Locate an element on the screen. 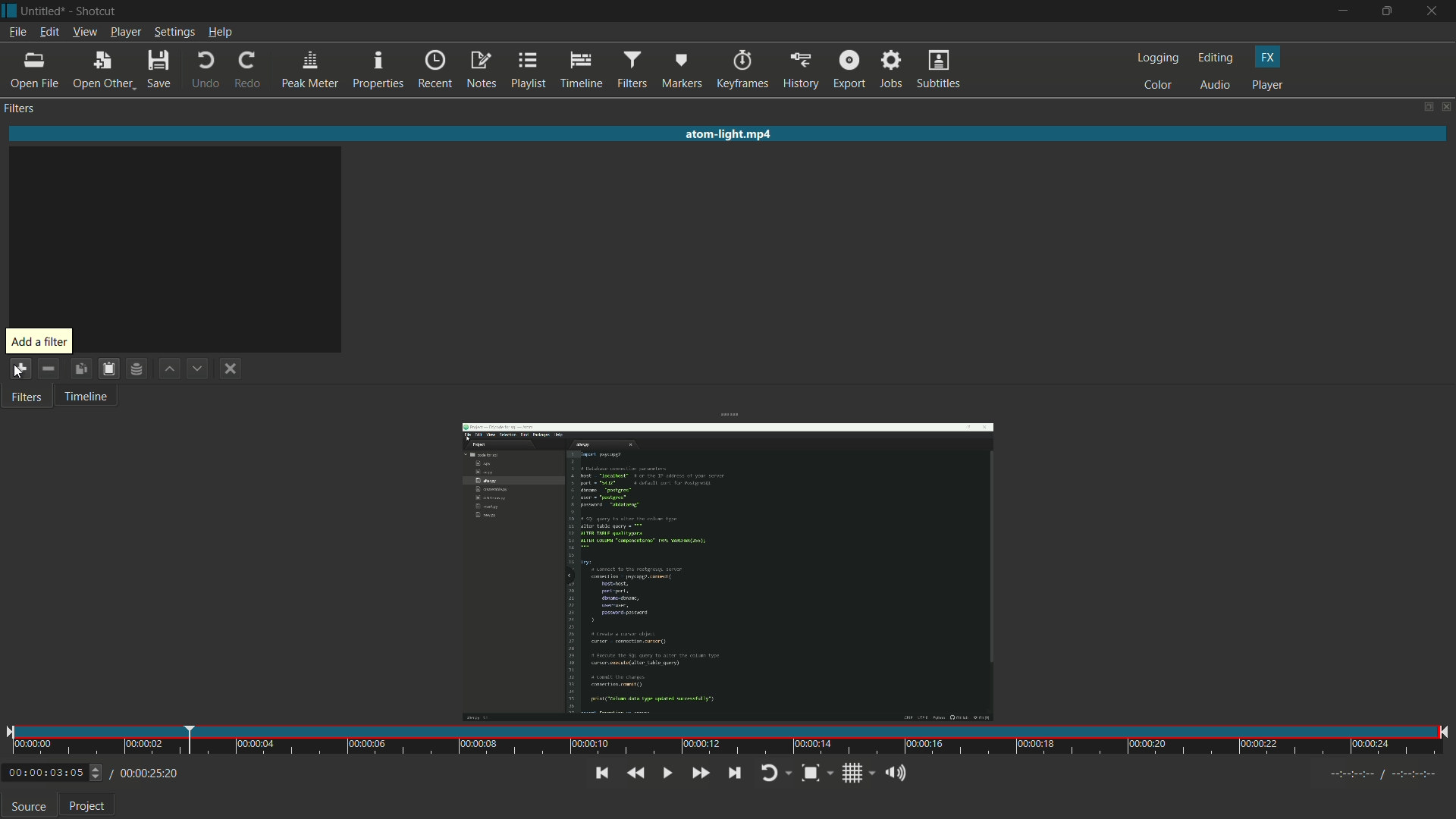 The image size is (1456, 819). export is located at coordinates (849, 68).